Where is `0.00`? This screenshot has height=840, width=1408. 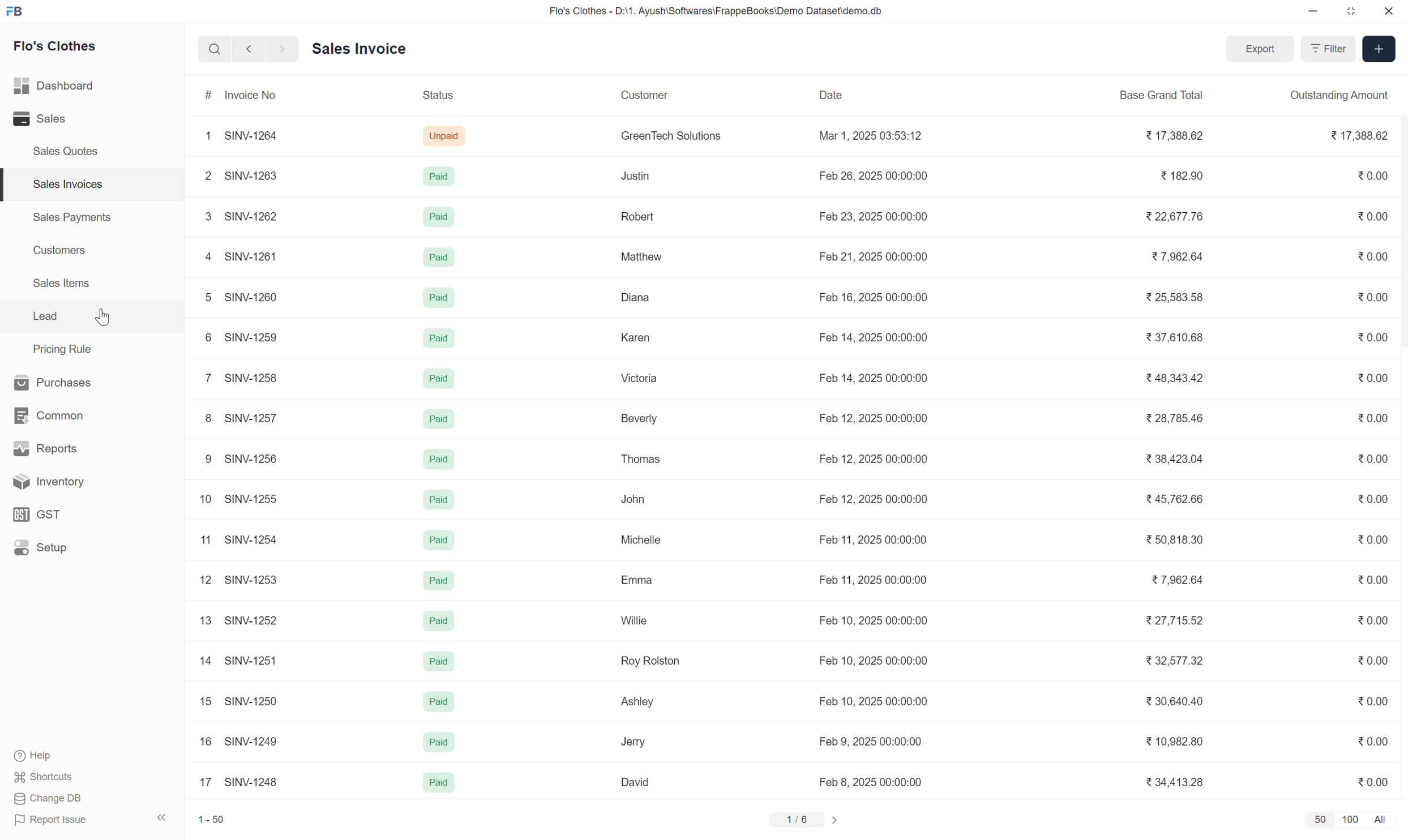 0.00 is located at coordinates (1367, 578).